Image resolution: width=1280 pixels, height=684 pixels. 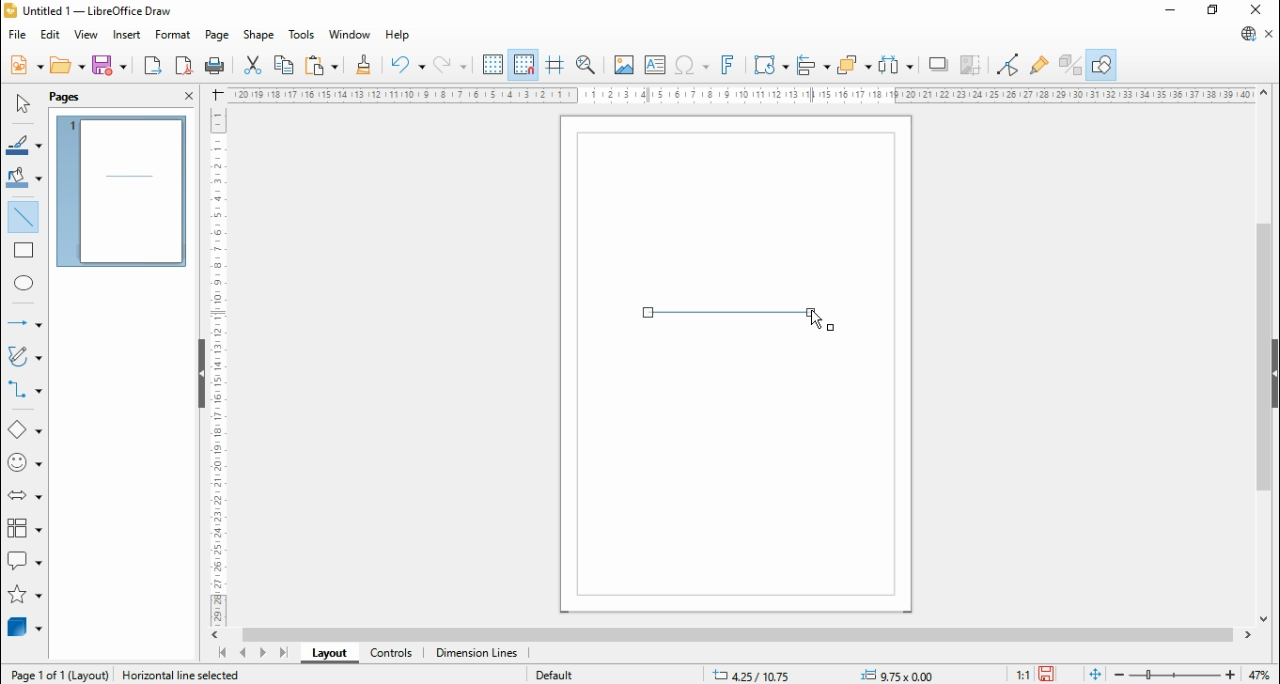 I want to click on new line, so click(x=732, y=312).